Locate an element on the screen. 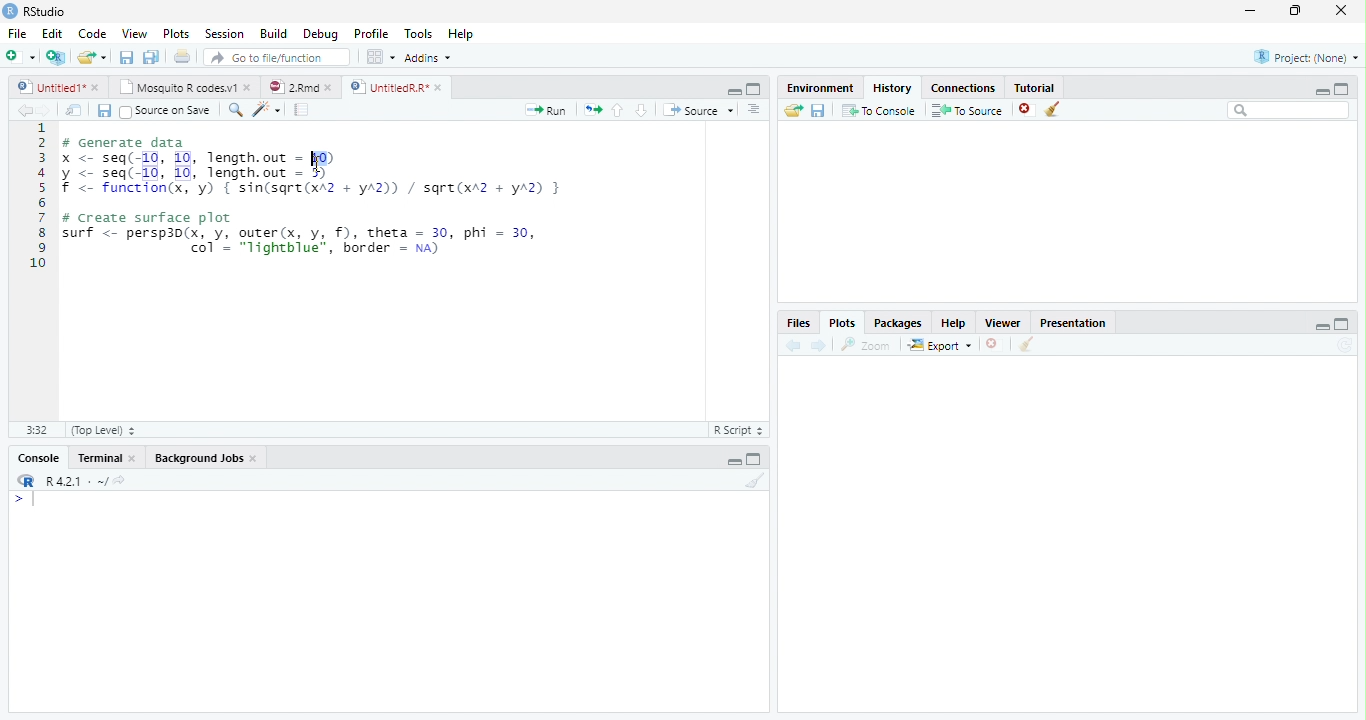 The width and height of the screenshot is (1366, 720). Console is located at coordinates (39, 458).